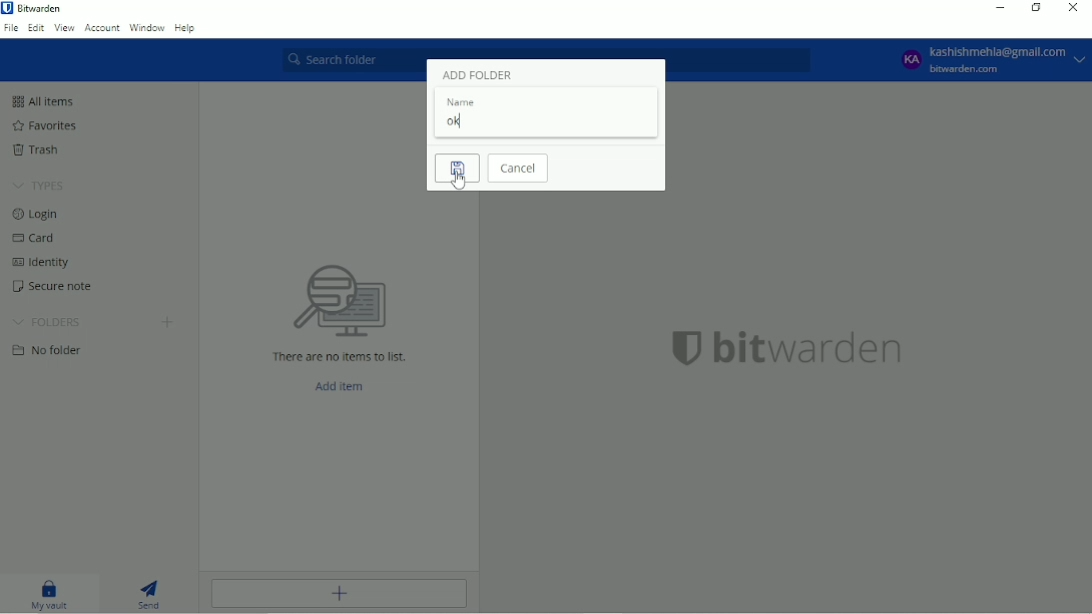  I want to click on All Items, so click(44, 101).